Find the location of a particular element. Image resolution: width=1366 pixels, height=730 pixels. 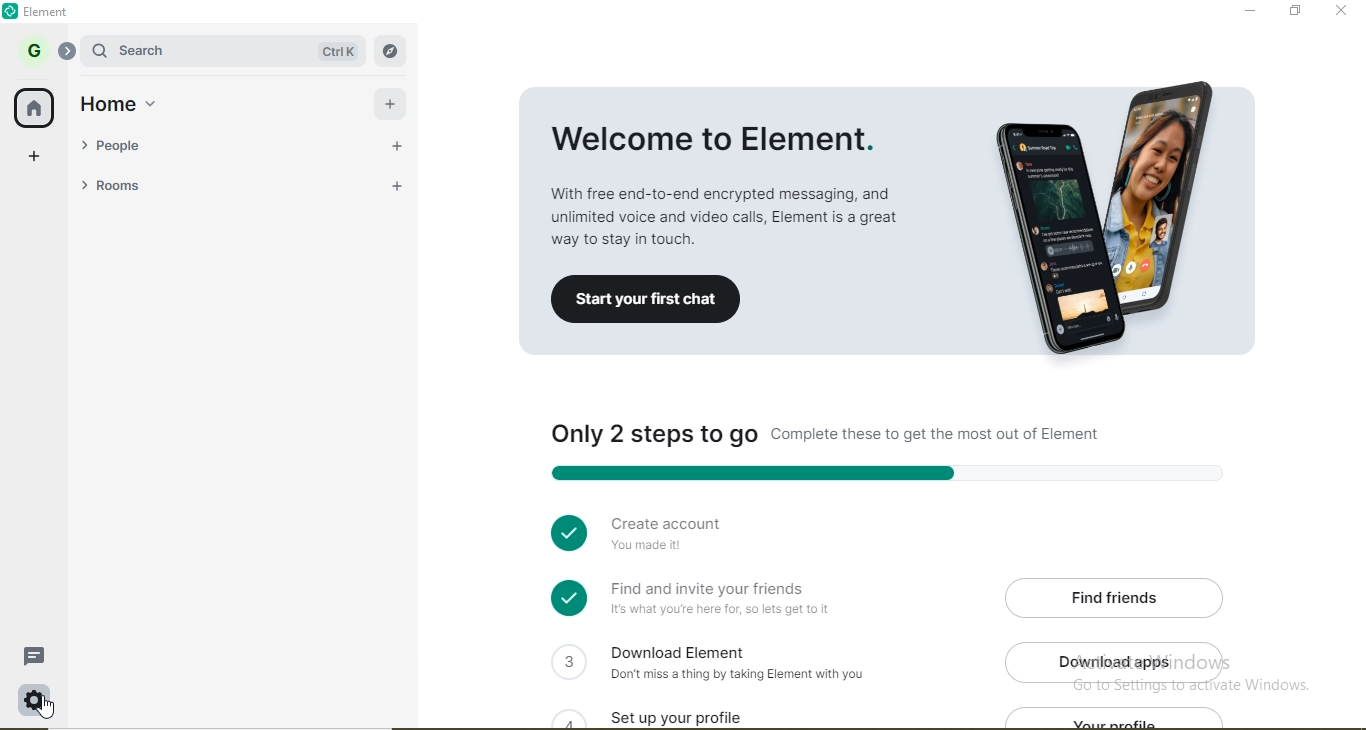

Home is located at coordinates (128, 102).